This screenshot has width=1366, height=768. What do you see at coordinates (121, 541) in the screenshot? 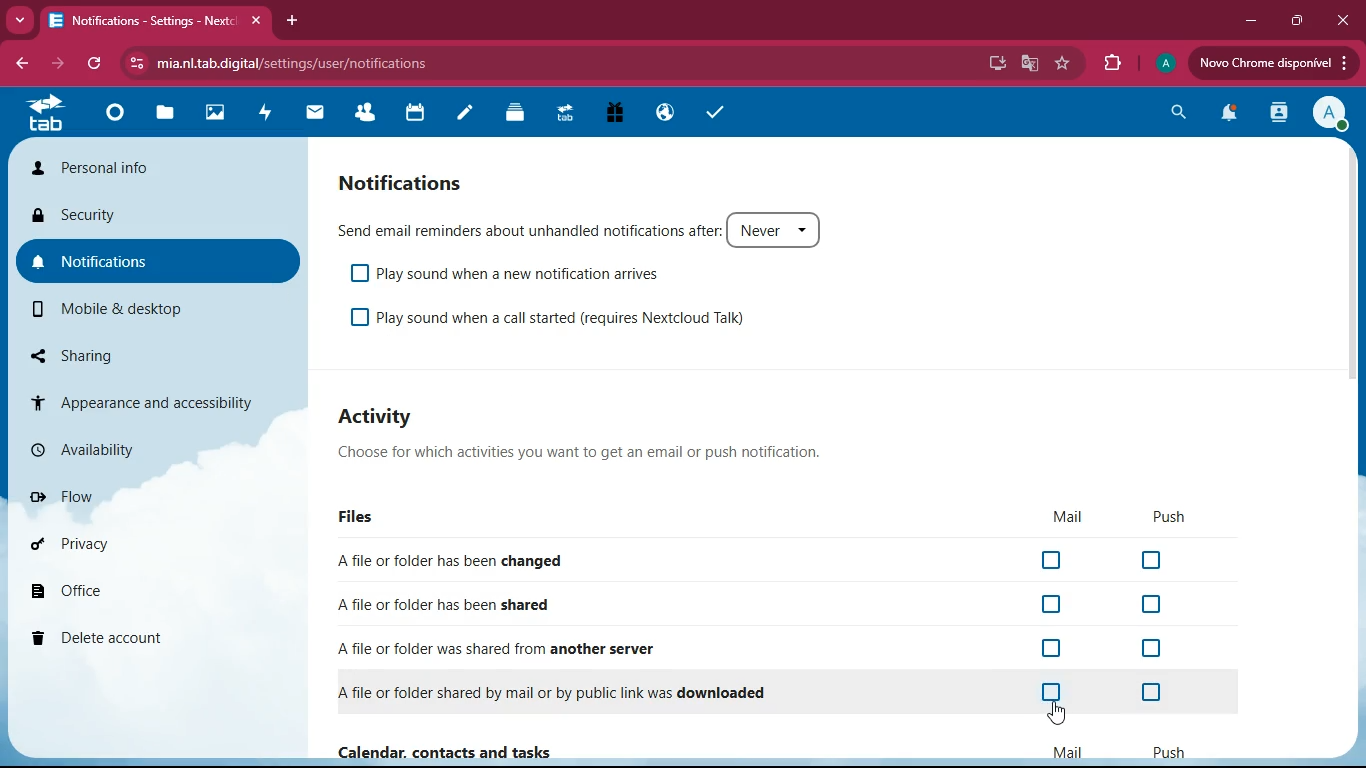
I see `privacy` at bounding box center [121, 541].